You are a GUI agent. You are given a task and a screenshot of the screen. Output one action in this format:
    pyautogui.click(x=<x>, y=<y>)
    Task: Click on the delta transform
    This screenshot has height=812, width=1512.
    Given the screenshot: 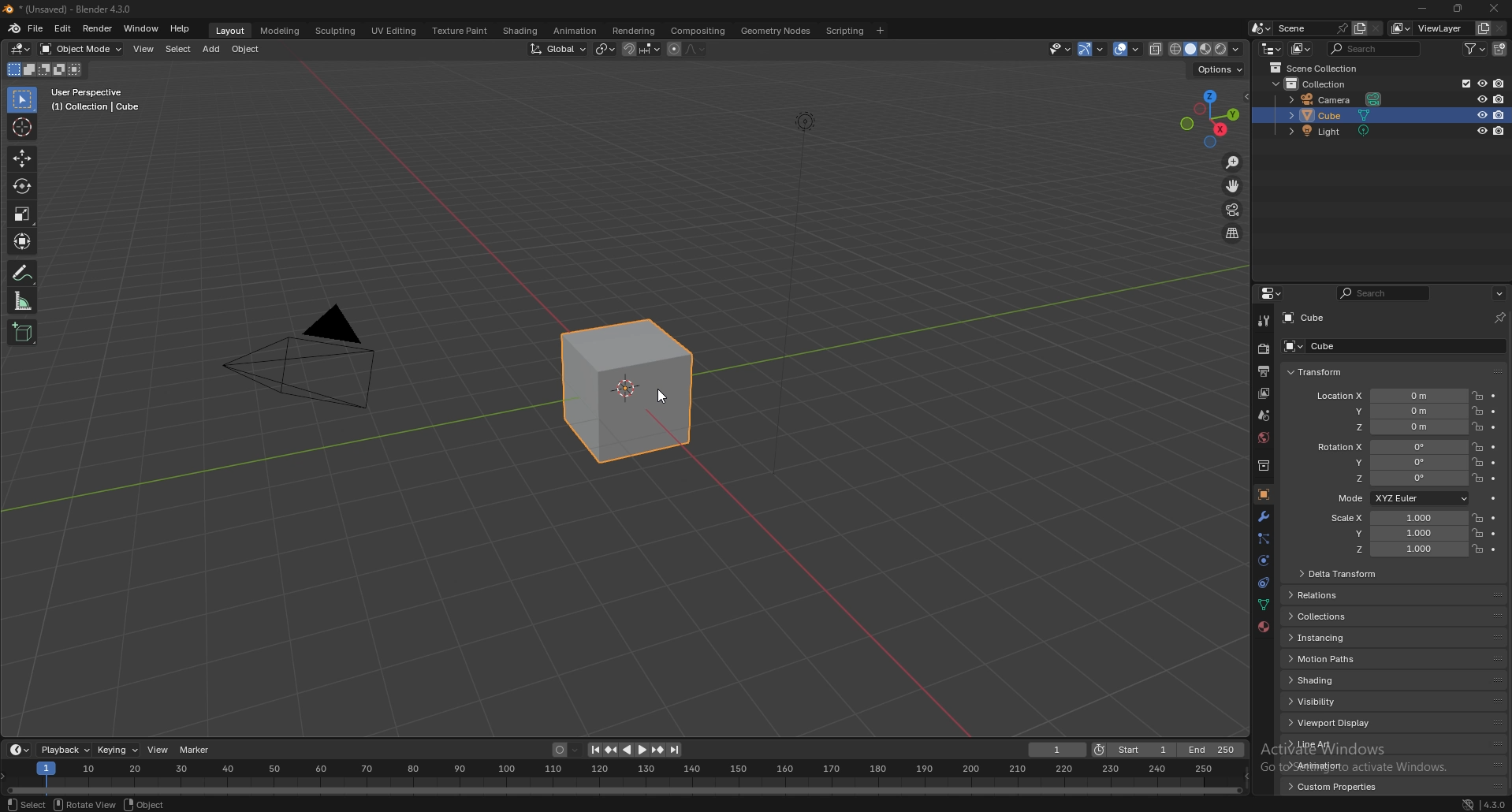 What is the action you would take?
    pyautogui.click(x=1344, y=574)
    